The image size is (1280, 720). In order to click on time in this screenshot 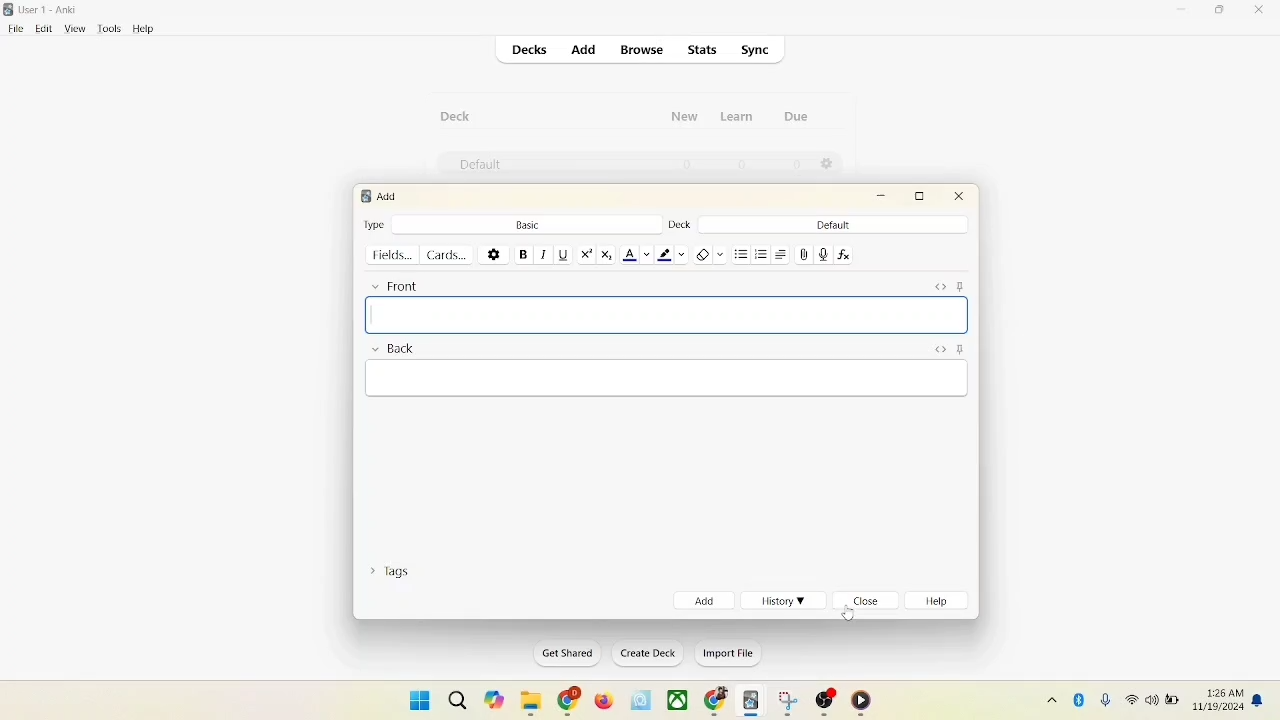, I will do `click(1221, 690)`.